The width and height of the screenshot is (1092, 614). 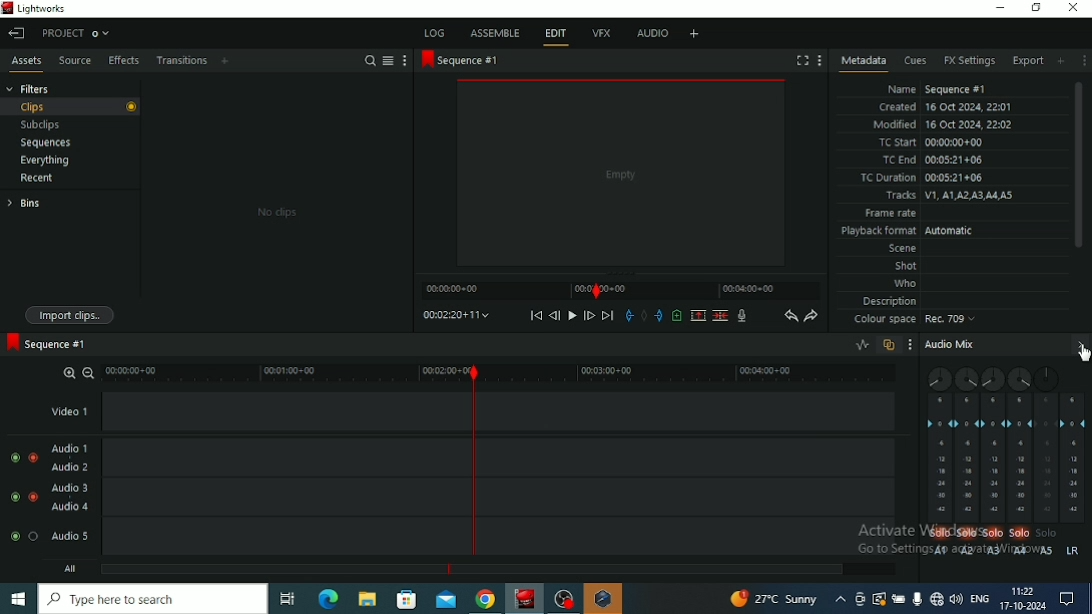 What do you see at coordinates (276, 204) in the screenshot?
I see `Clip thumbnail` at bounding box center [276, 204].